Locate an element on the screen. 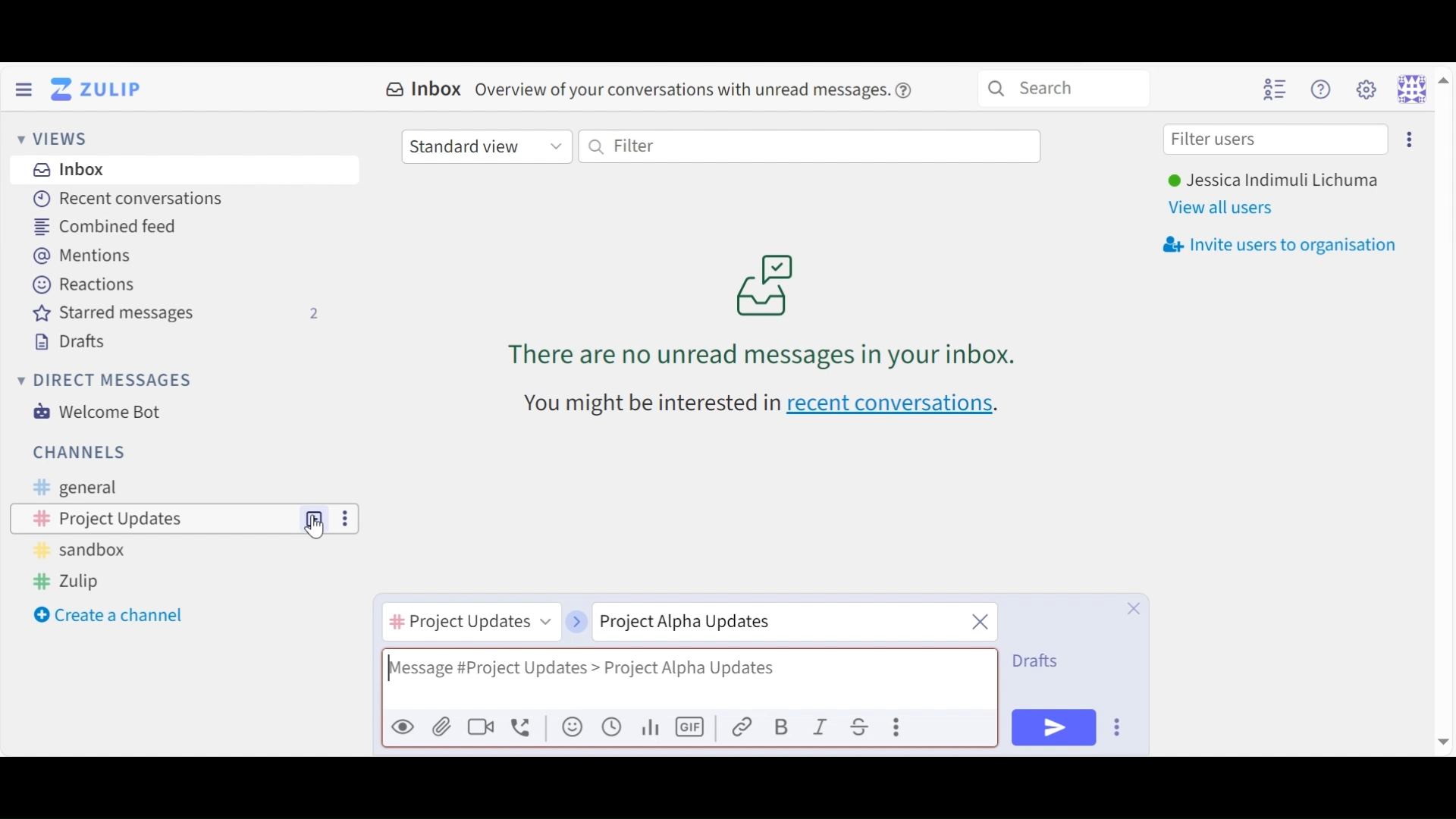 The width and height of the screenshot is (1456, 819). more is located at coordinates (343, 517).